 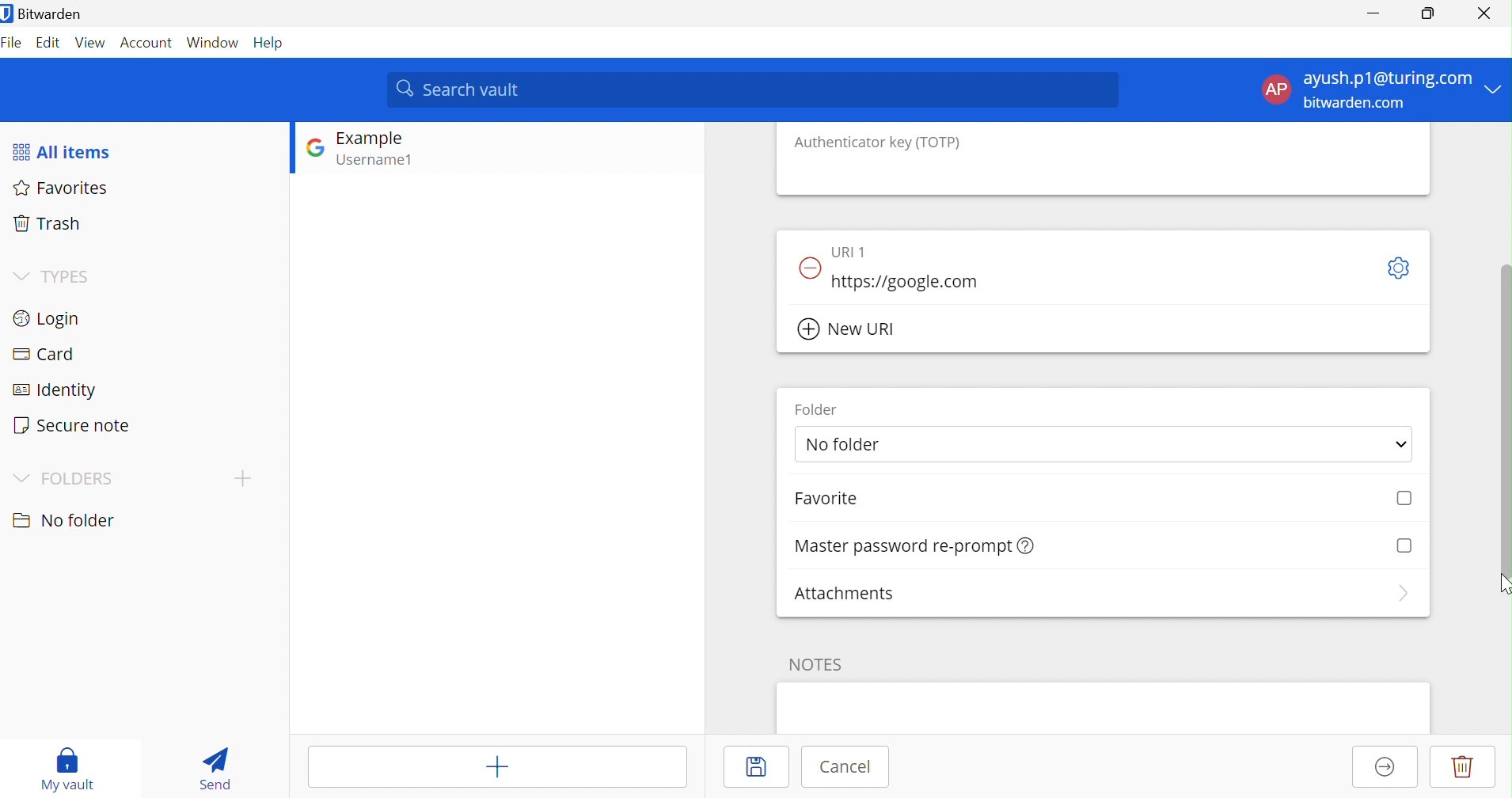 What do you see at coordinates (1400, 268) in the screenshot?
I see `Toggle Options` at bounding box center [1400, 268].